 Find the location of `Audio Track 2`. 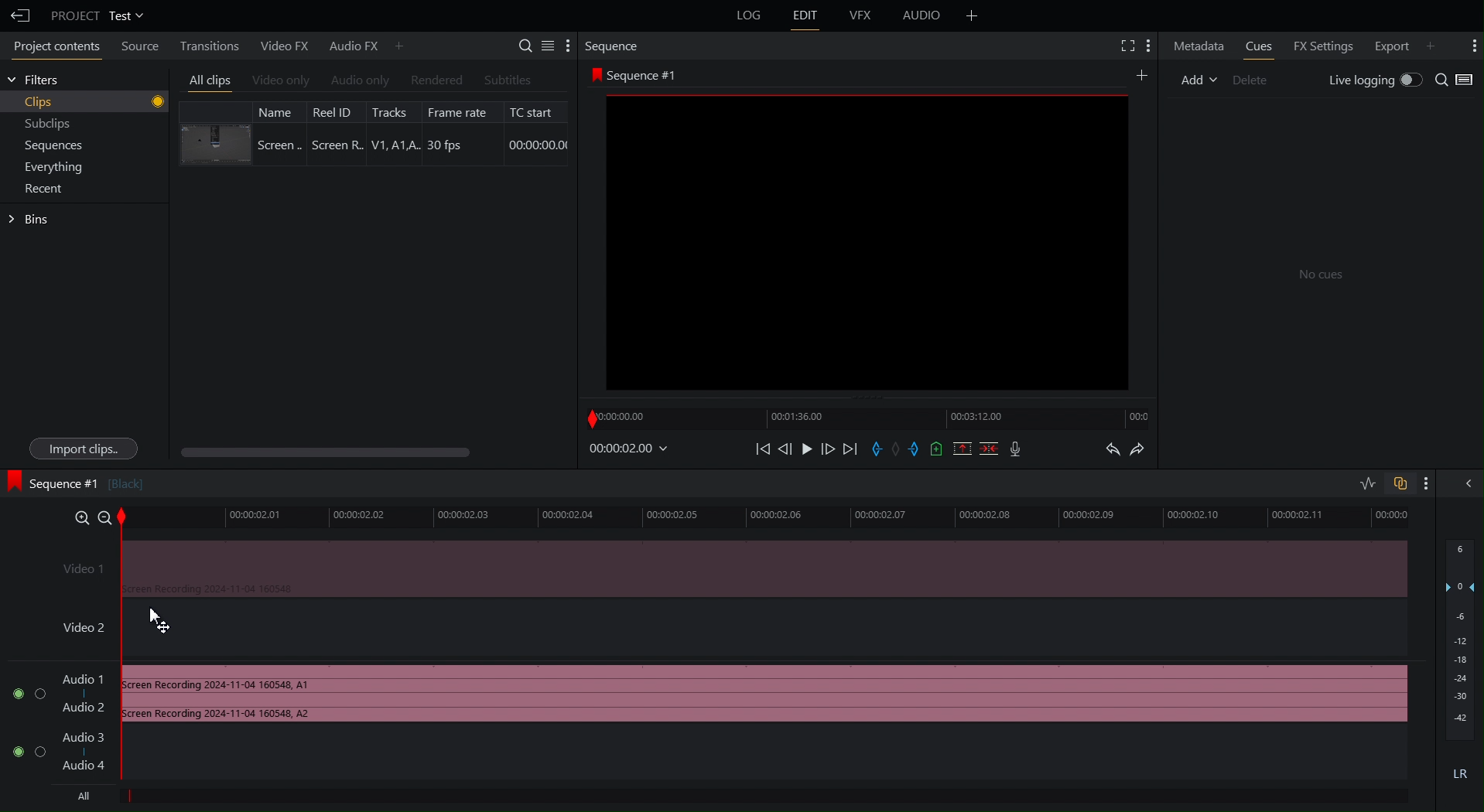

Audio Track 2 is located at coordinates (69, 755).